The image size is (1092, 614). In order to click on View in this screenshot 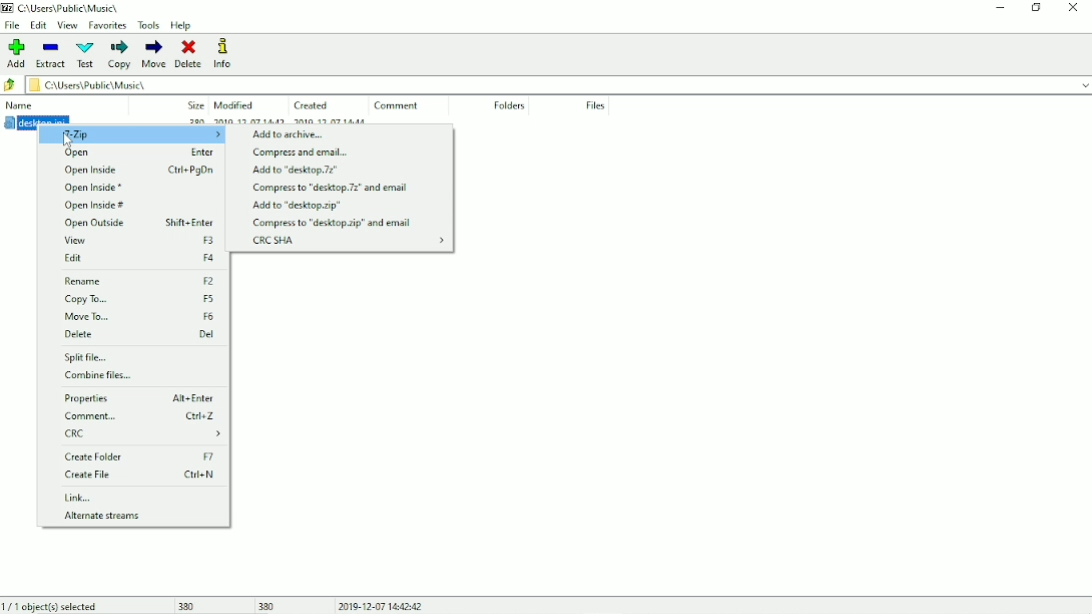, I will do `click(67, 25)`.